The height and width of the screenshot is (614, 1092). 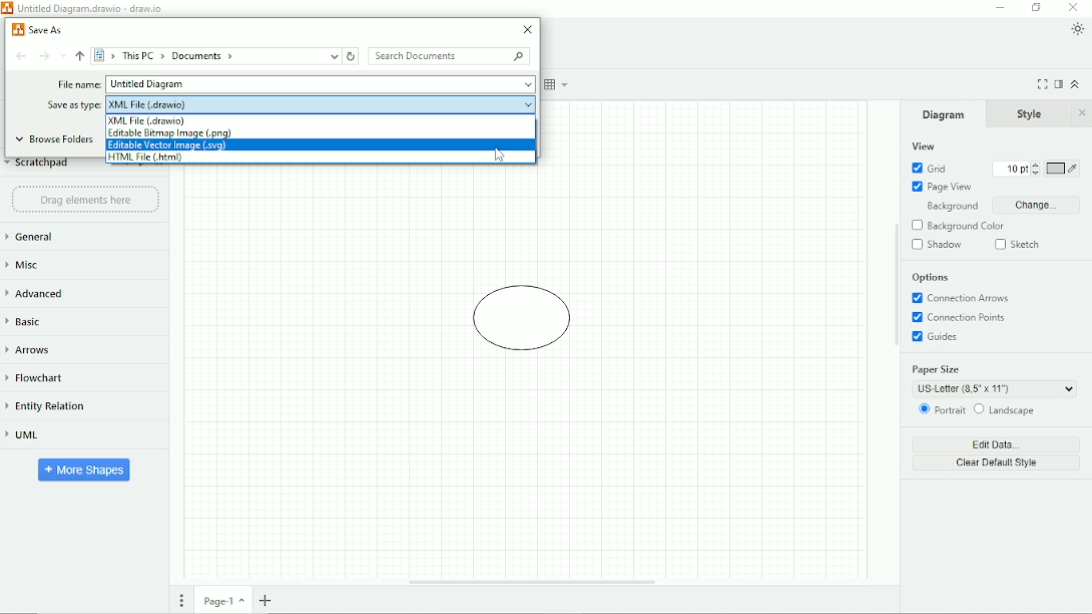 I want to click on Close, so click(x=1074, y=7).